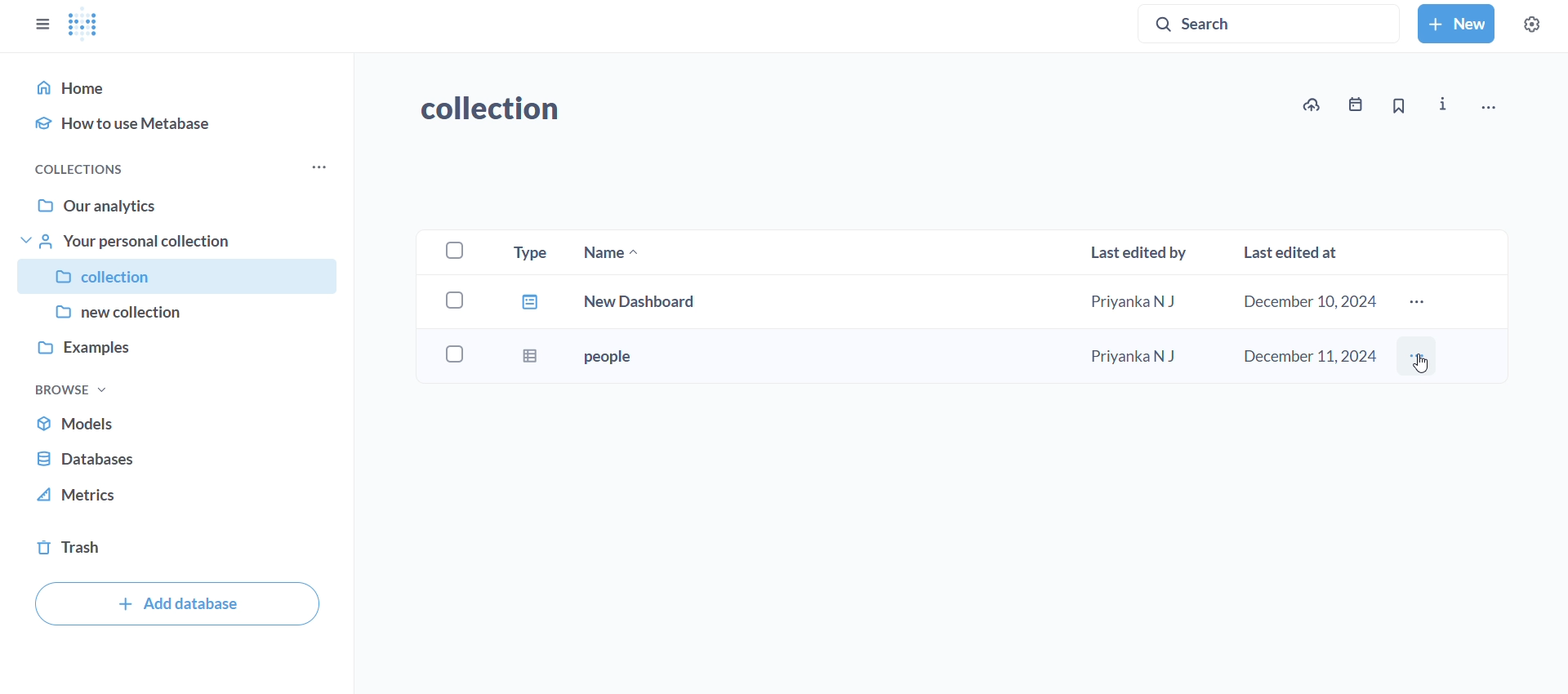 This screenshot has height=694, width=1568. What do you see at coordinates (182, 459) in the screenshot?
I see `database` at bounding box center [182, 459].